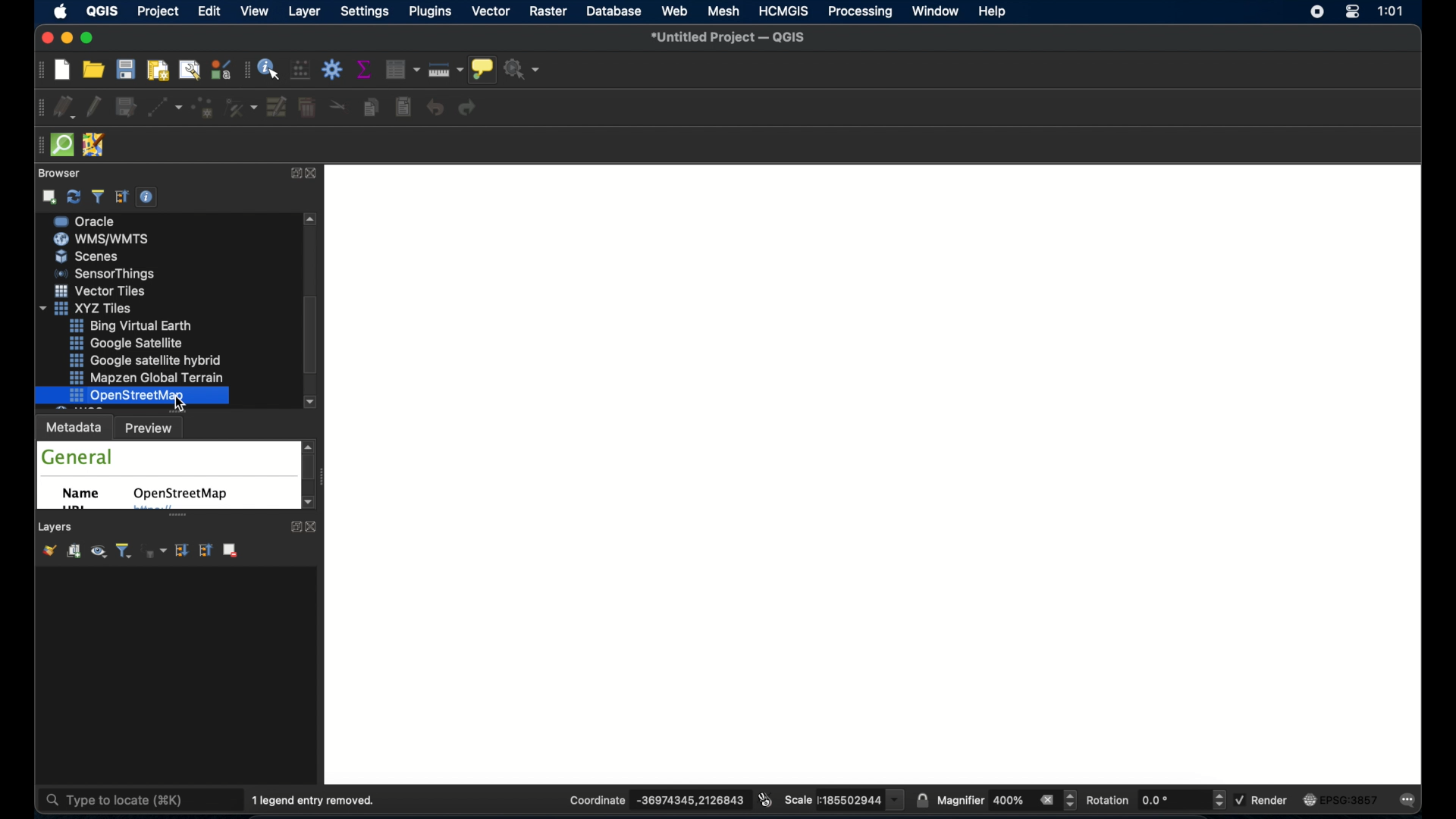 The width and height of the screenshot is (1456, 819). What do you see at coordinates (923, 799) in the screenshot?
I see `lock scale` at bounding box center [923, 799].